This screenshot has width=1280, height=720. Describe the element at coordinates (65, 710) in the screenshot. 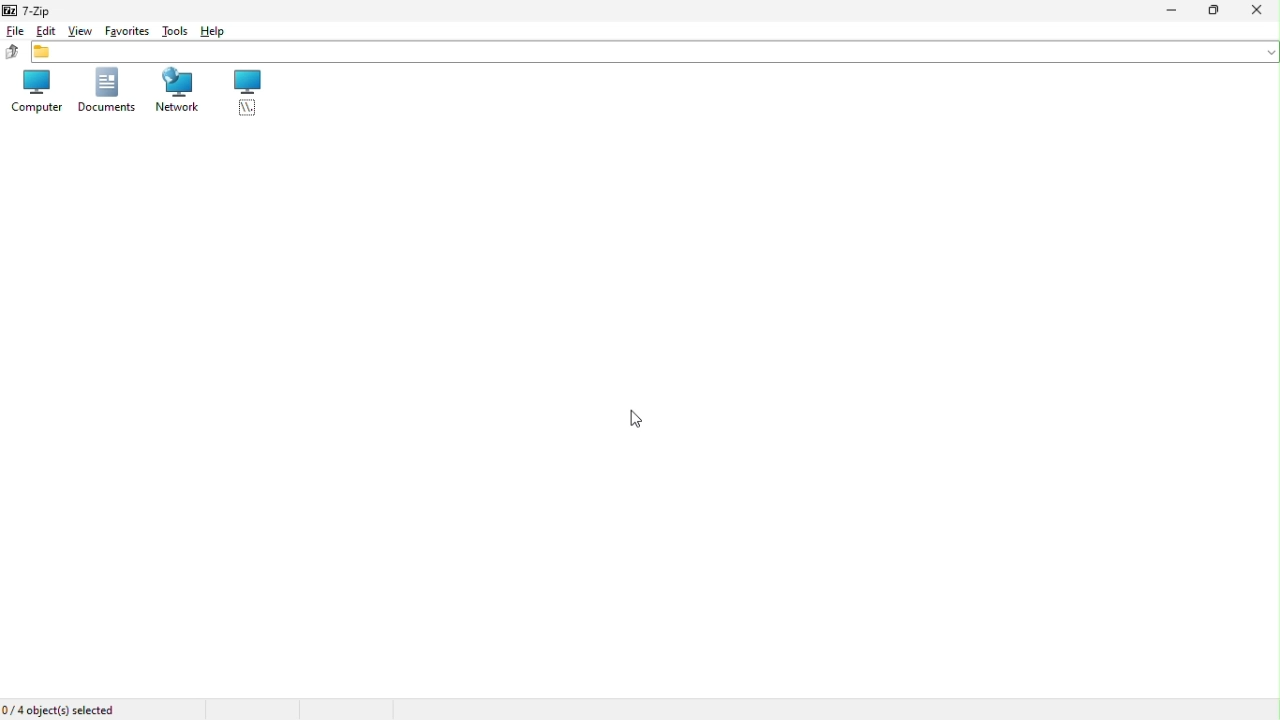

I see `4 object selected` at that location.